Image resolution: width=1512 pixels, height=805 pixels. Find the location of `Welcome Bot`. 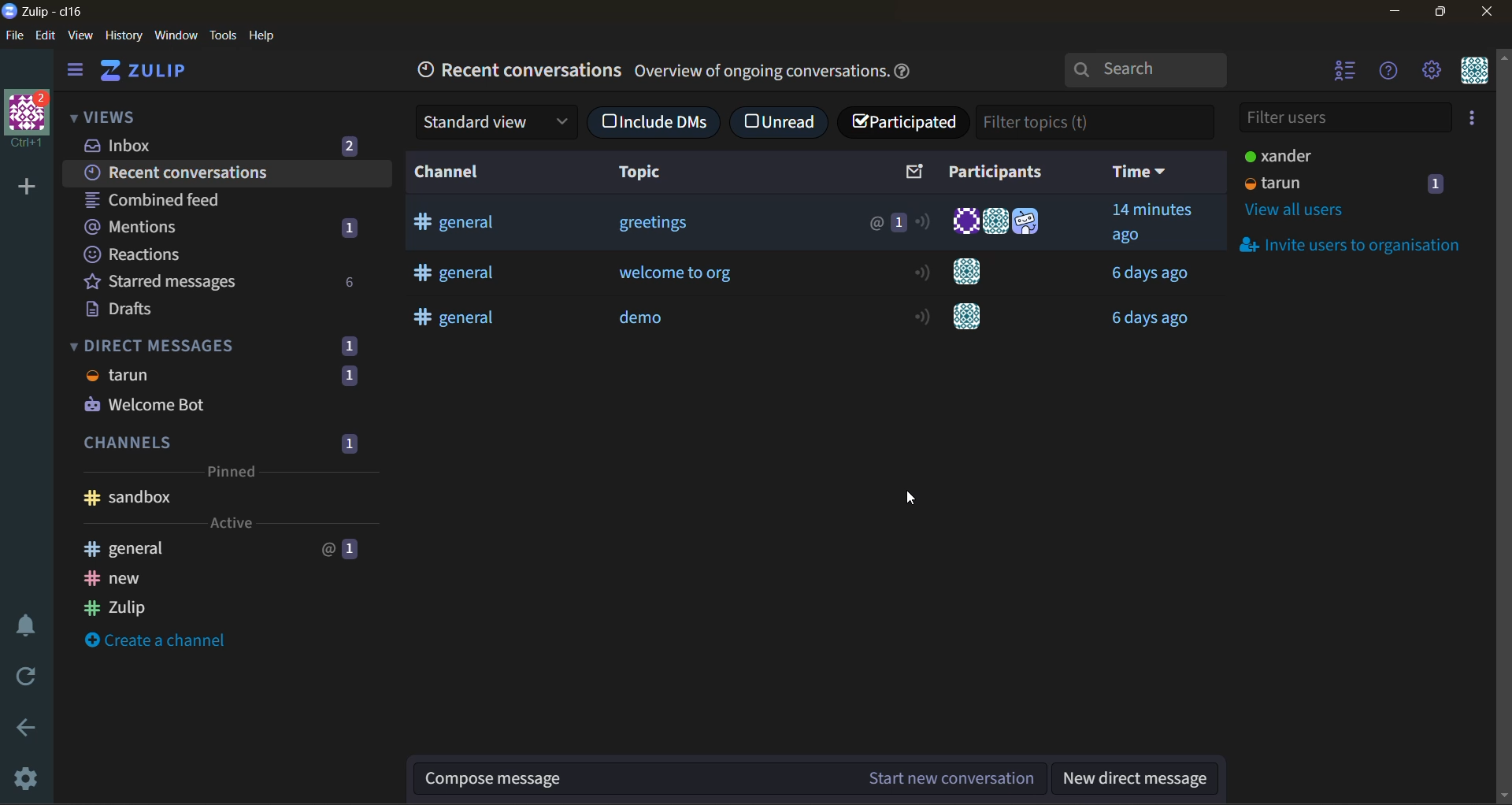

Welcome Bot is located at coordinates (223, 406).